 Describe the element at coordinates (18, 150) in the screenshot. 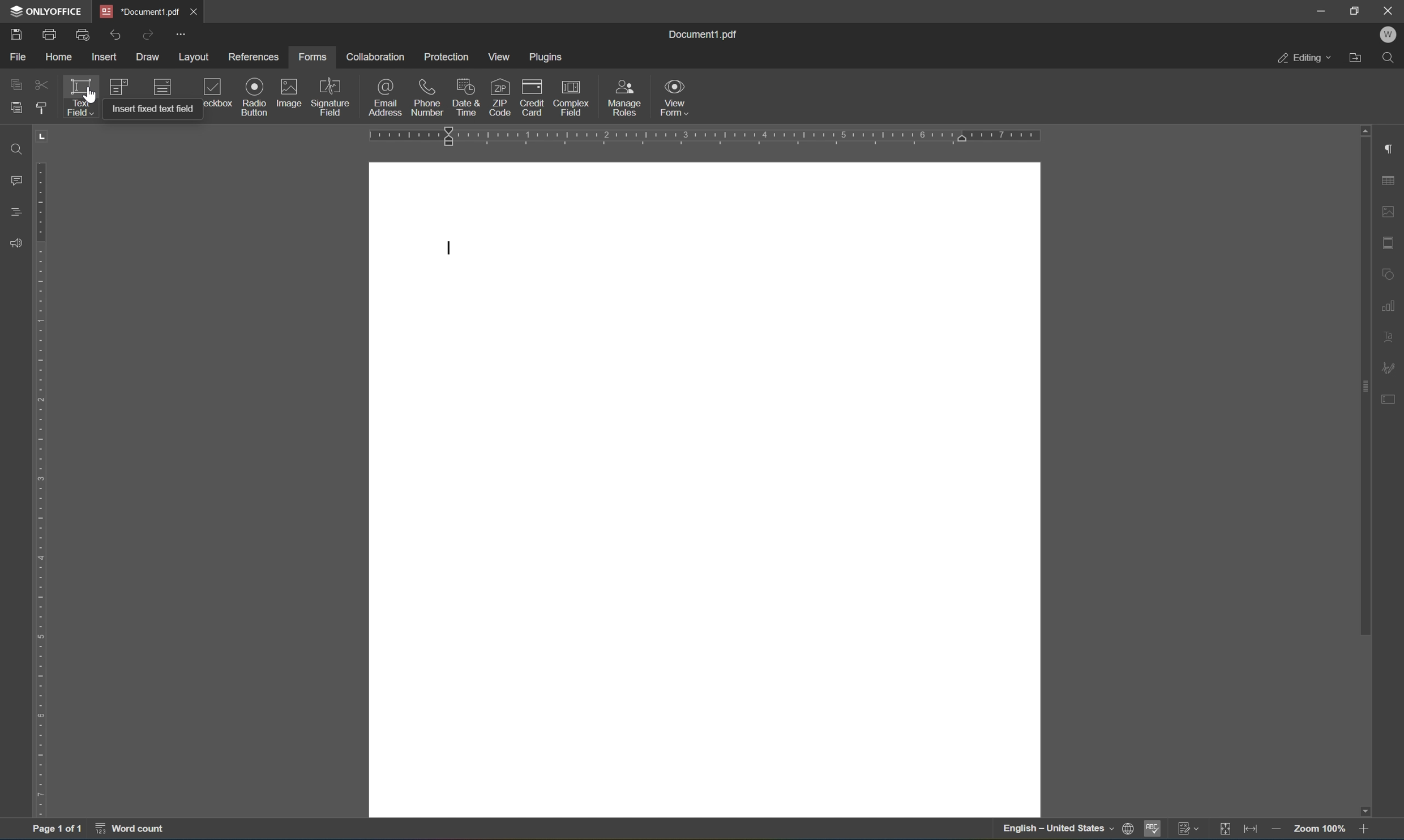

I see `Find` at that location.